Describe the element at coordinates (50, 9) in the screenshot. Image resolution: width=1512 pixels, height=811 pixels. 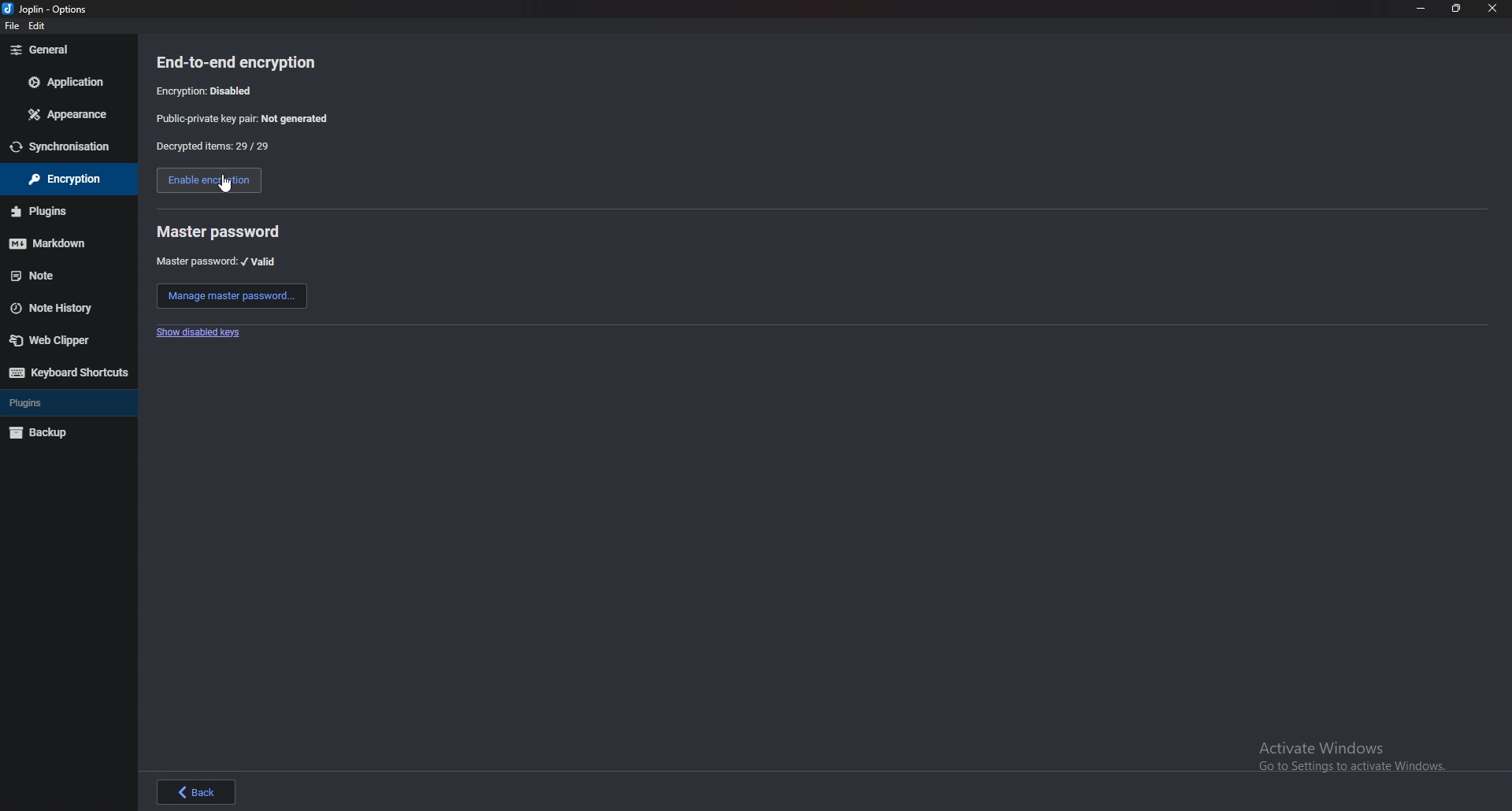
I see `` at that location.